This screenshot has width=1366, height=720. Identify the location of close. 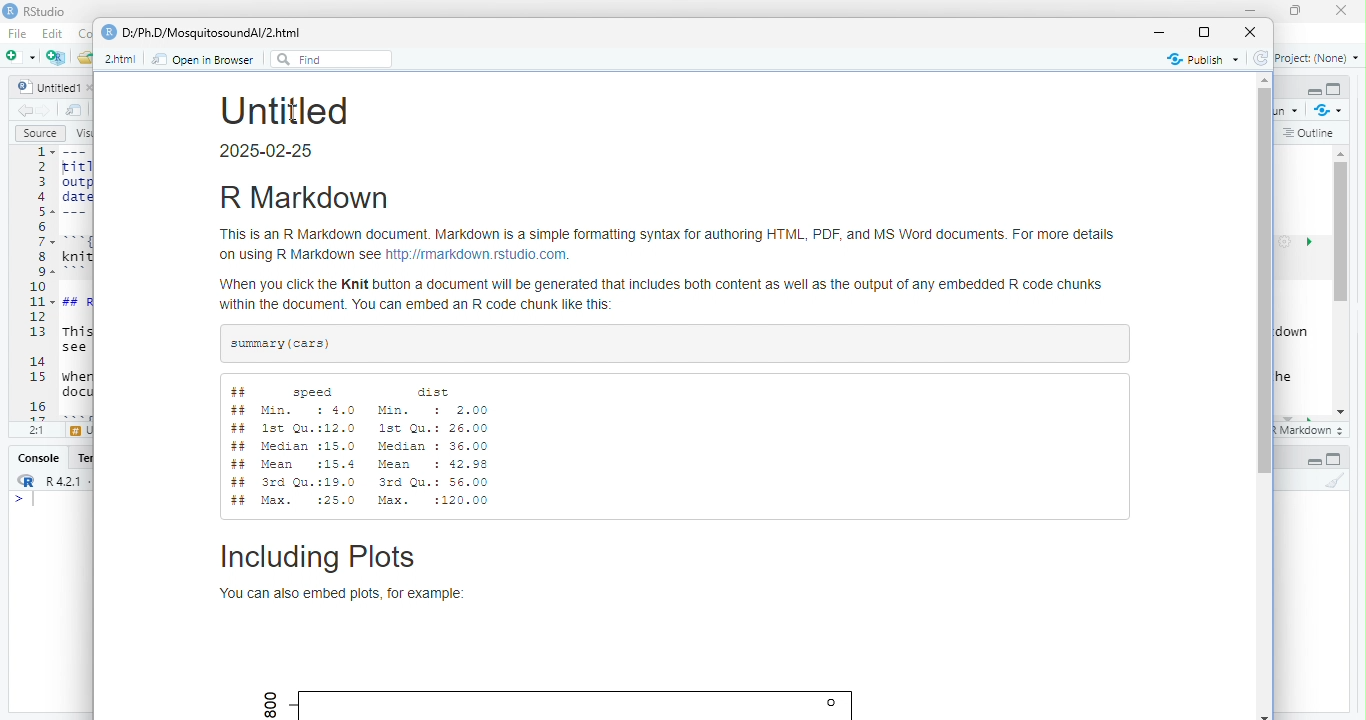
(1250, 32).